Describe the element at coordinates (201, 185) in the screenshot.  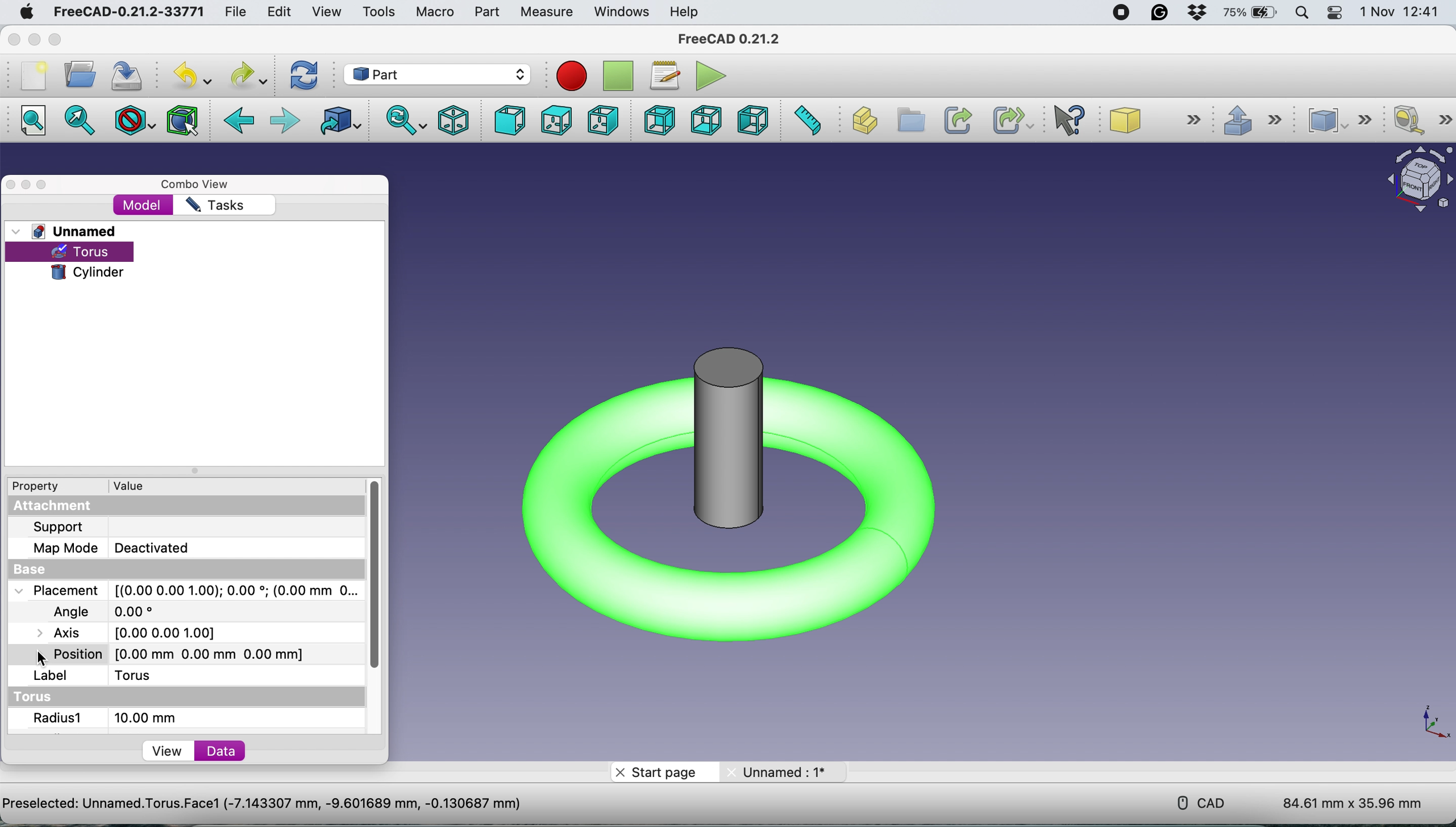
I see `combo view` at that location.